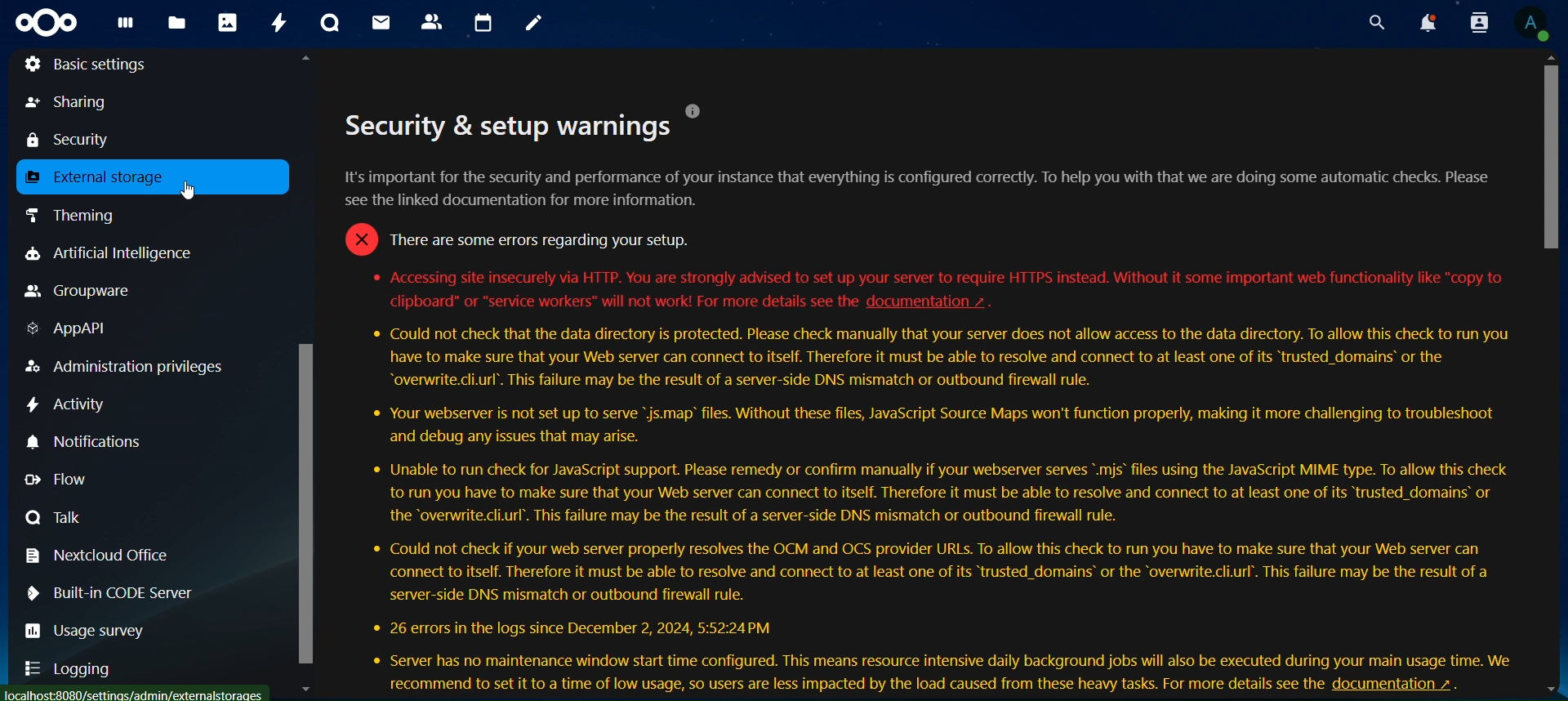 This screenshot has width=1568, height=701. I want to click on bilt in CODE server, so click(127, 589).